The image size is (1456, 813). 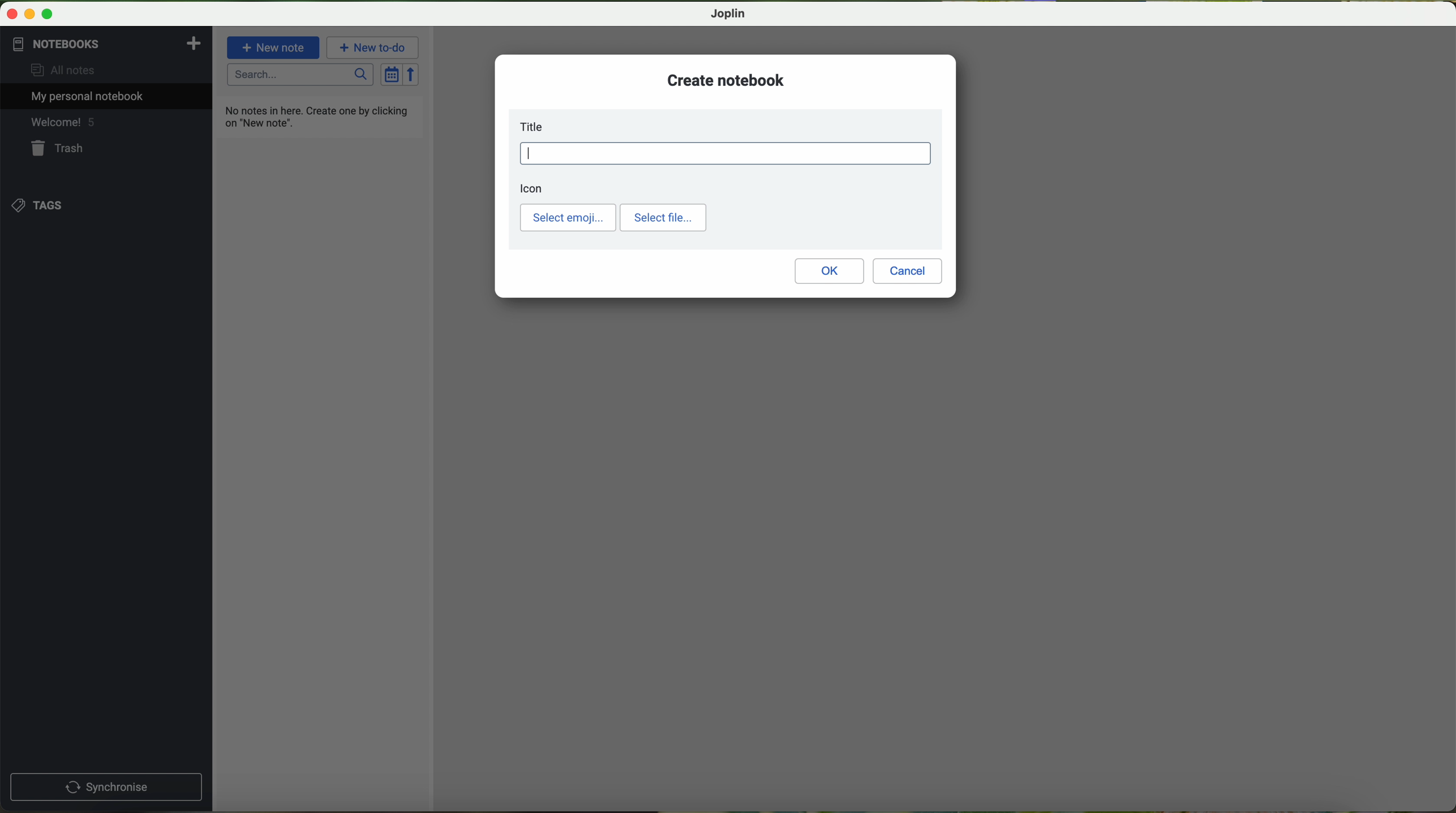 I want to click on , so click(x=415, y=76).